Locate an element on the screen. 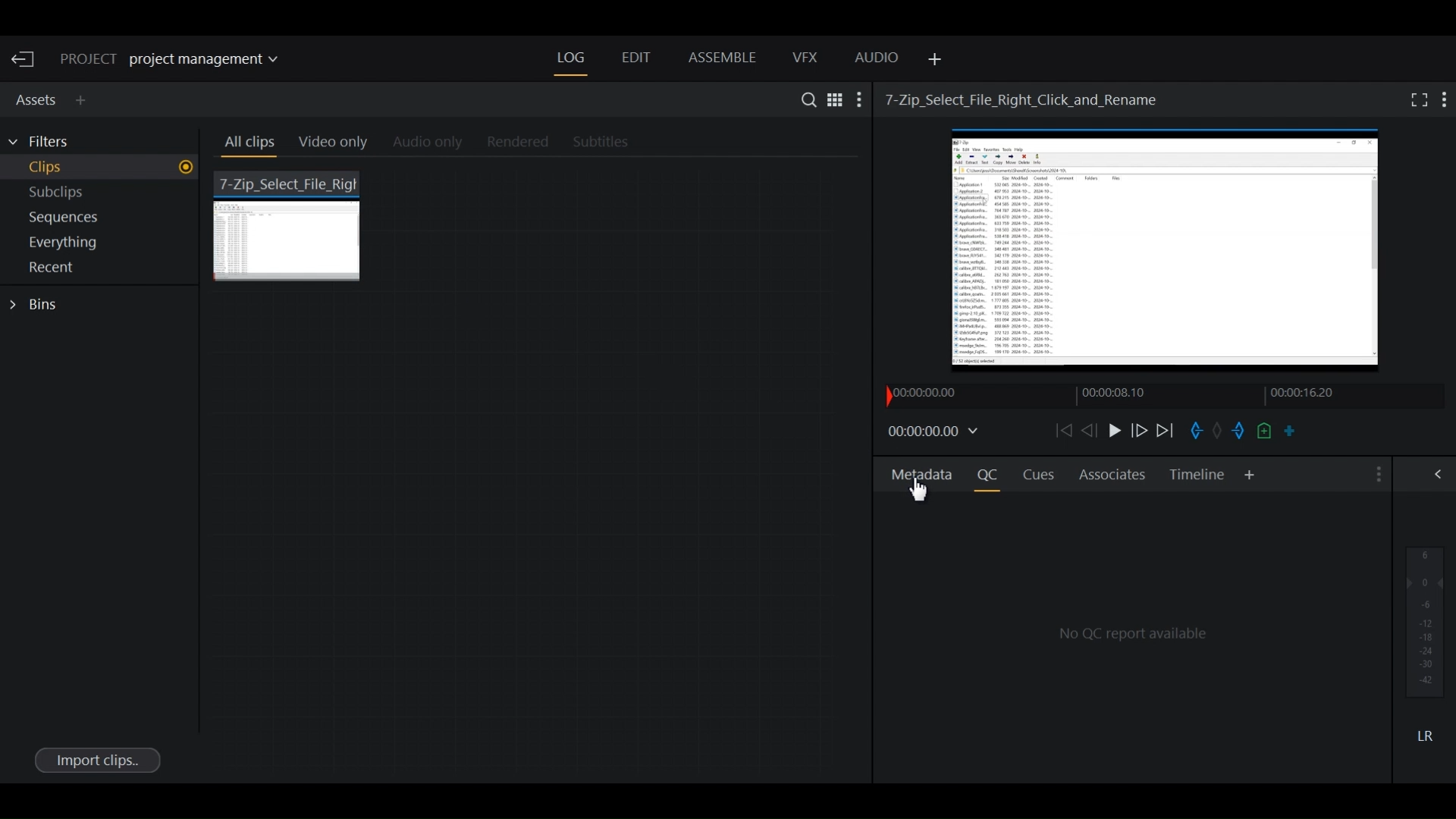 This screenshot has width=1456, height=819. Rendered is located at coordinates (513, 143).